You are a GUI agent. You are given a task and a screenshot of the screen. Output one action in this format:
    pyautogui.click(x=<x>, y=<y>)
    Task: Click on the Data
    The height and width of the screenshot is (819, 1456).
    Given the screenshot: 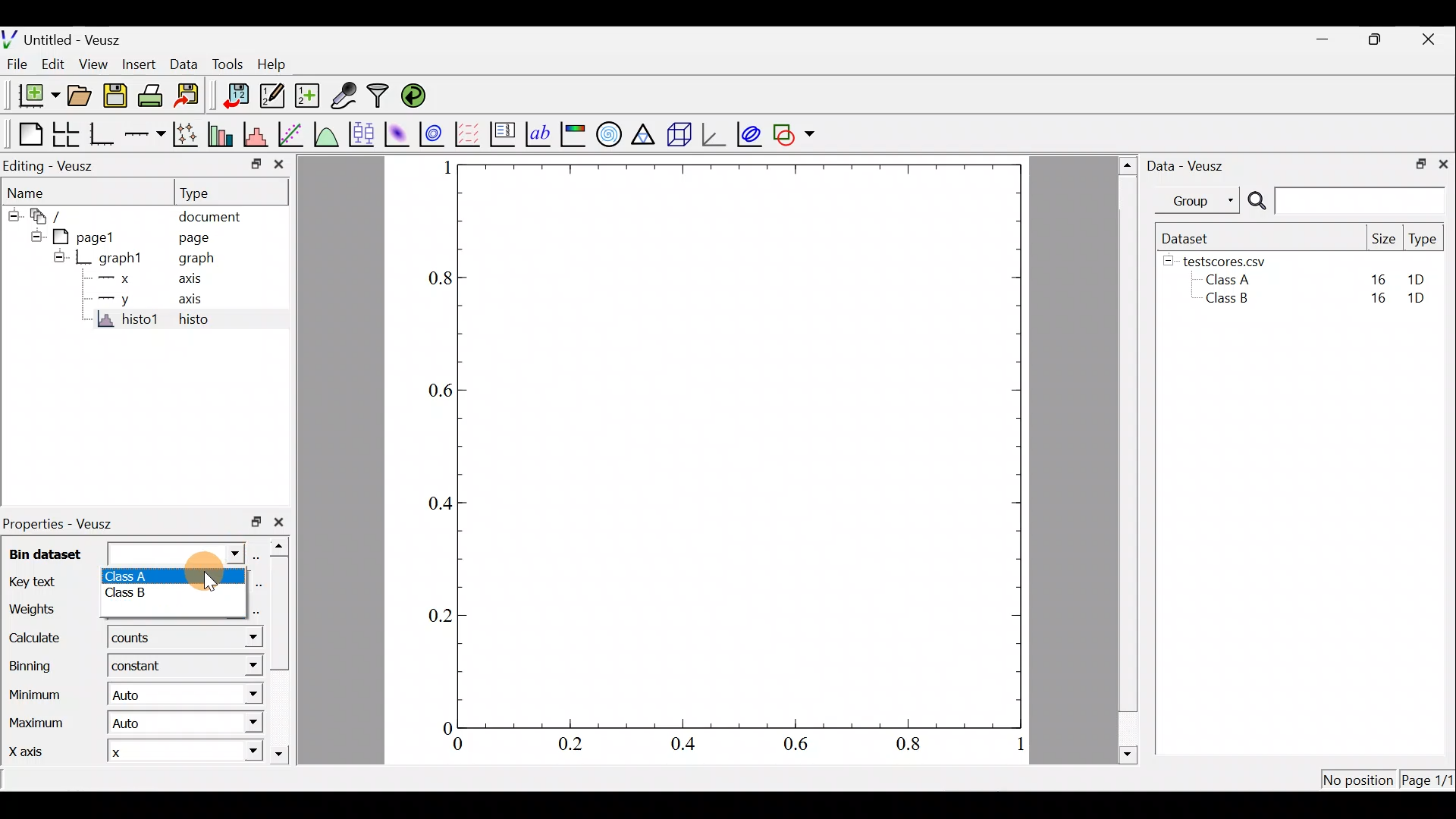 What is the action you would take?
    pyautogui.click(x=182, y=62)
    